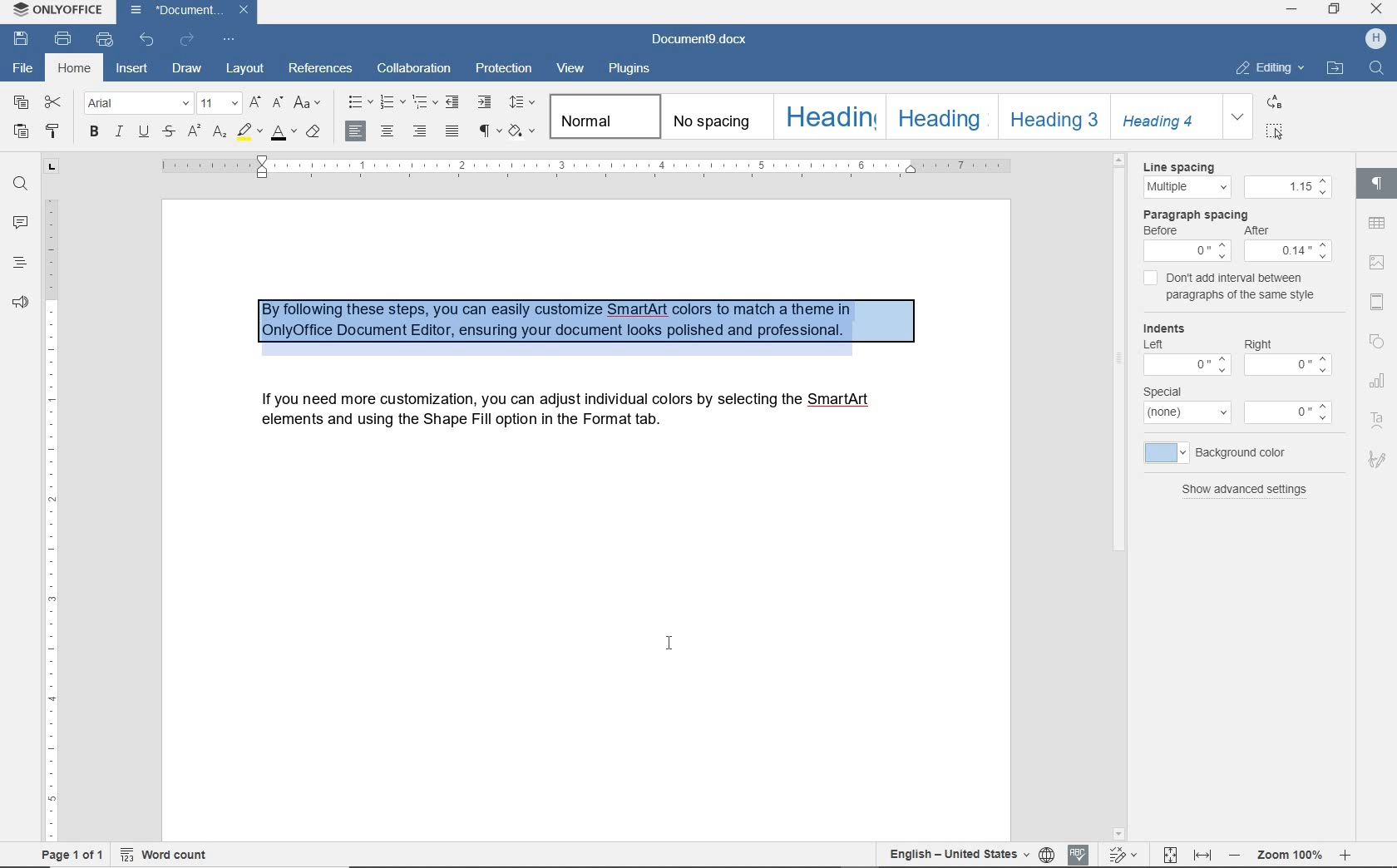 The image size is (1397, 868). What do you see at coordinates (1270, 68) in the screenshot?
I see `editing` at bounding box center [1270, 68].